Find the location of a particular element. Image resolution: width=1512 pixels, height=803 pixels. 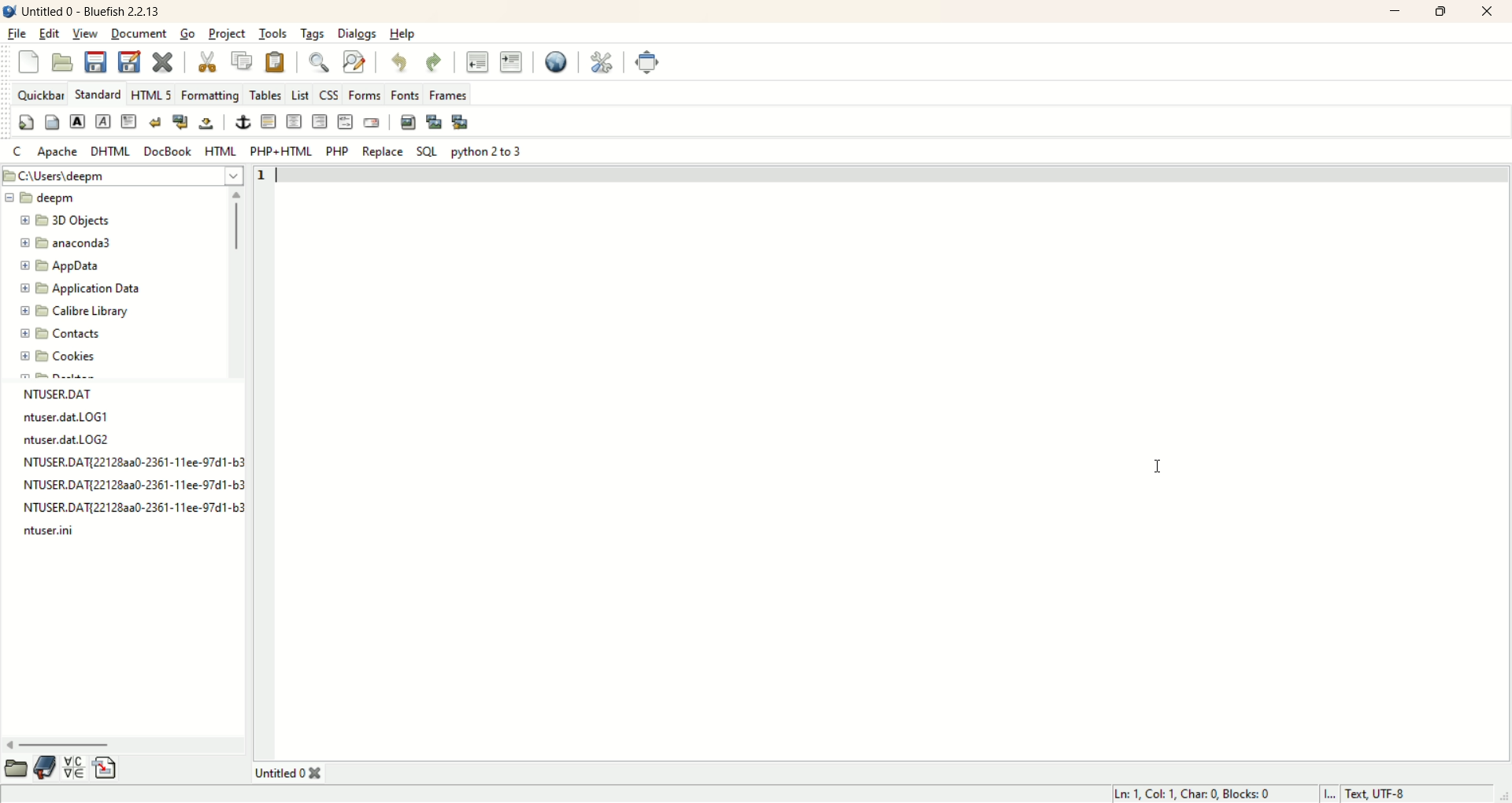

logo is located at coordinates (9, 11).